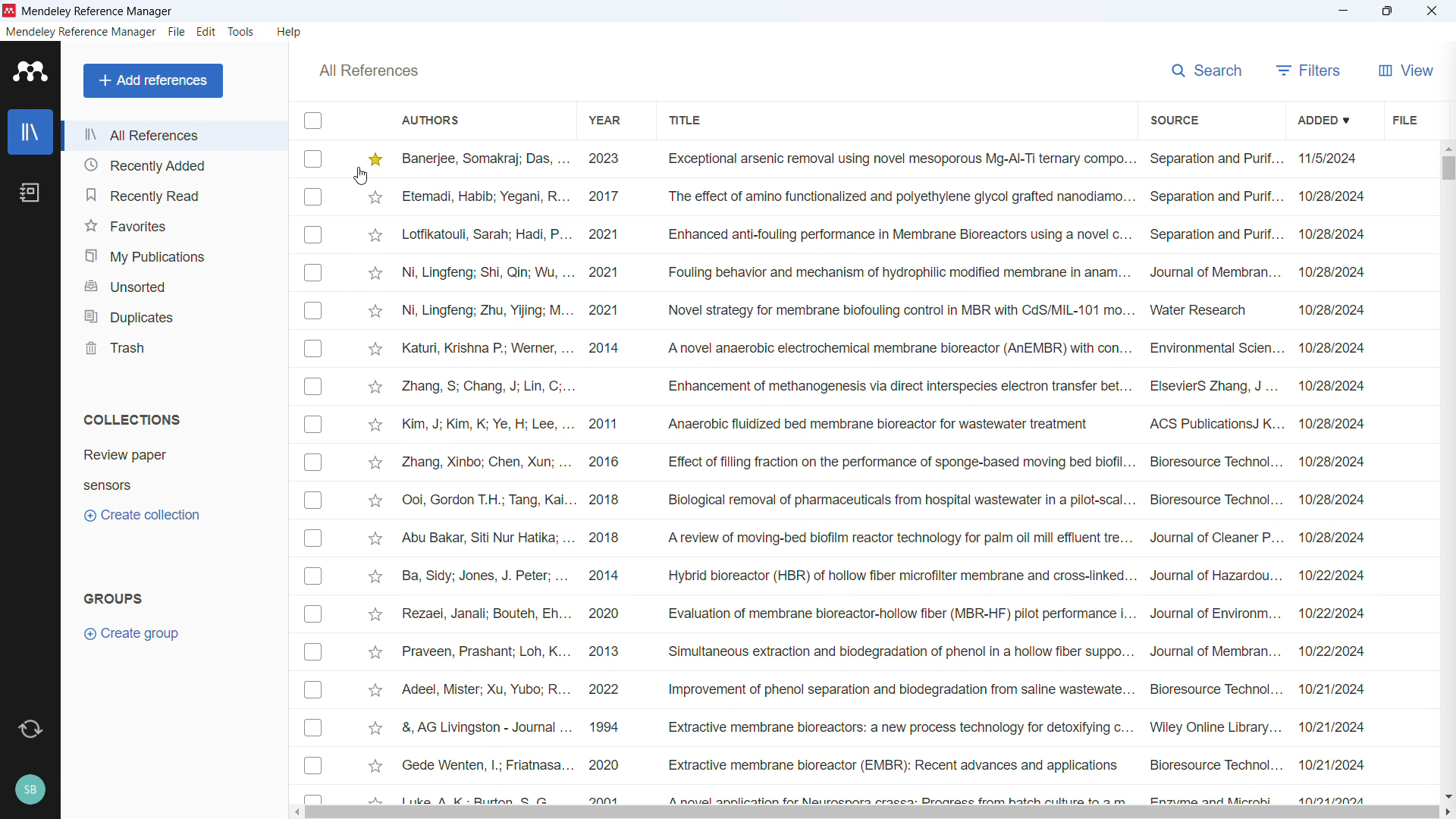 This screenshot has width=1456, height=819. Describe the element at coordinates (174, 136) in the screenshot. I see `All references ` at that location.